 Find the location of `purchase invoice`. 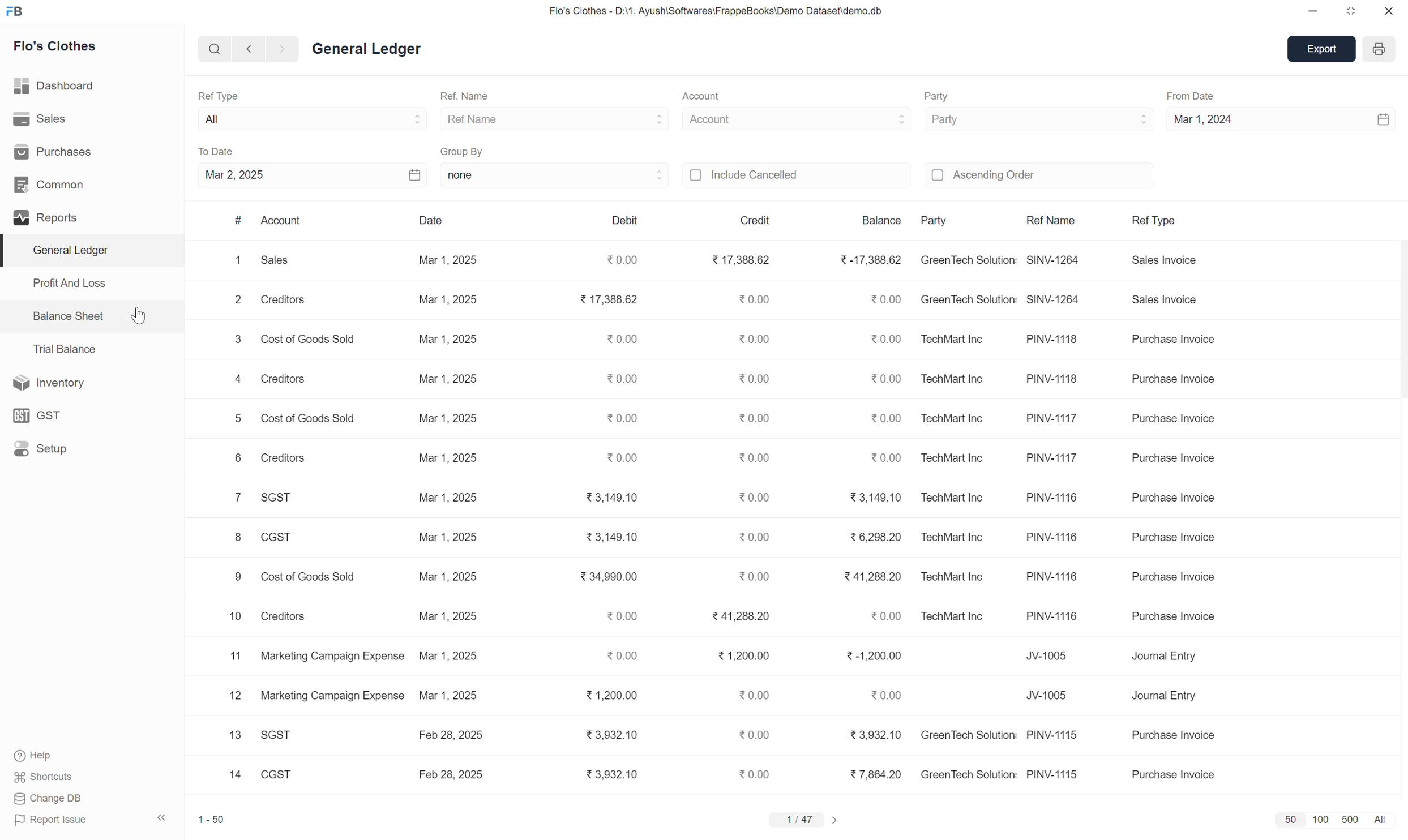

purchase invoice is located at coordinates (1174, 774).